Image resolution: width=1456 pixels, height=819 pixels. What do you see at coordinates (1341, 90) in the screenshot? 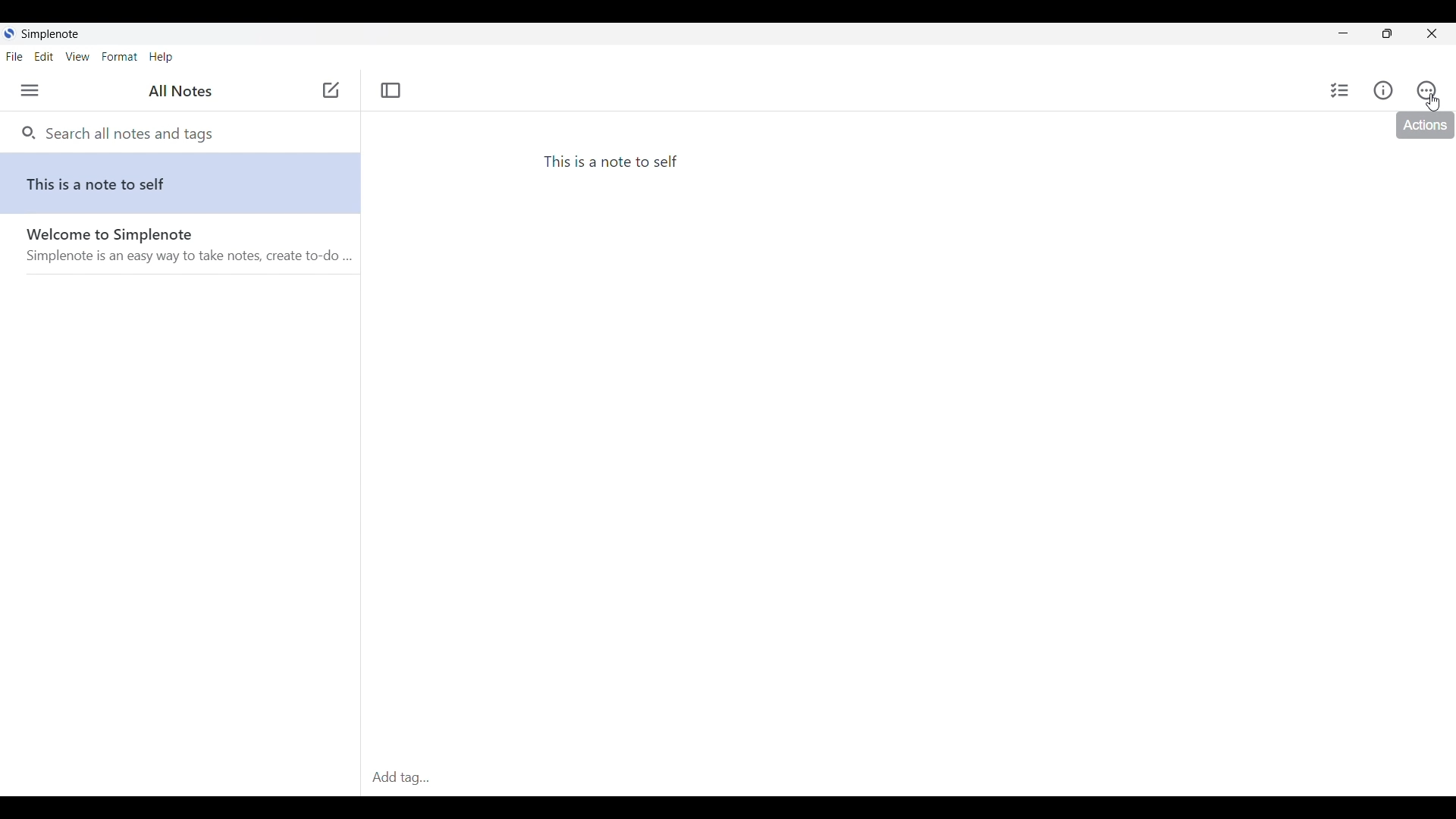
I see `Insert checklist` at bounding box center [1341, 90].